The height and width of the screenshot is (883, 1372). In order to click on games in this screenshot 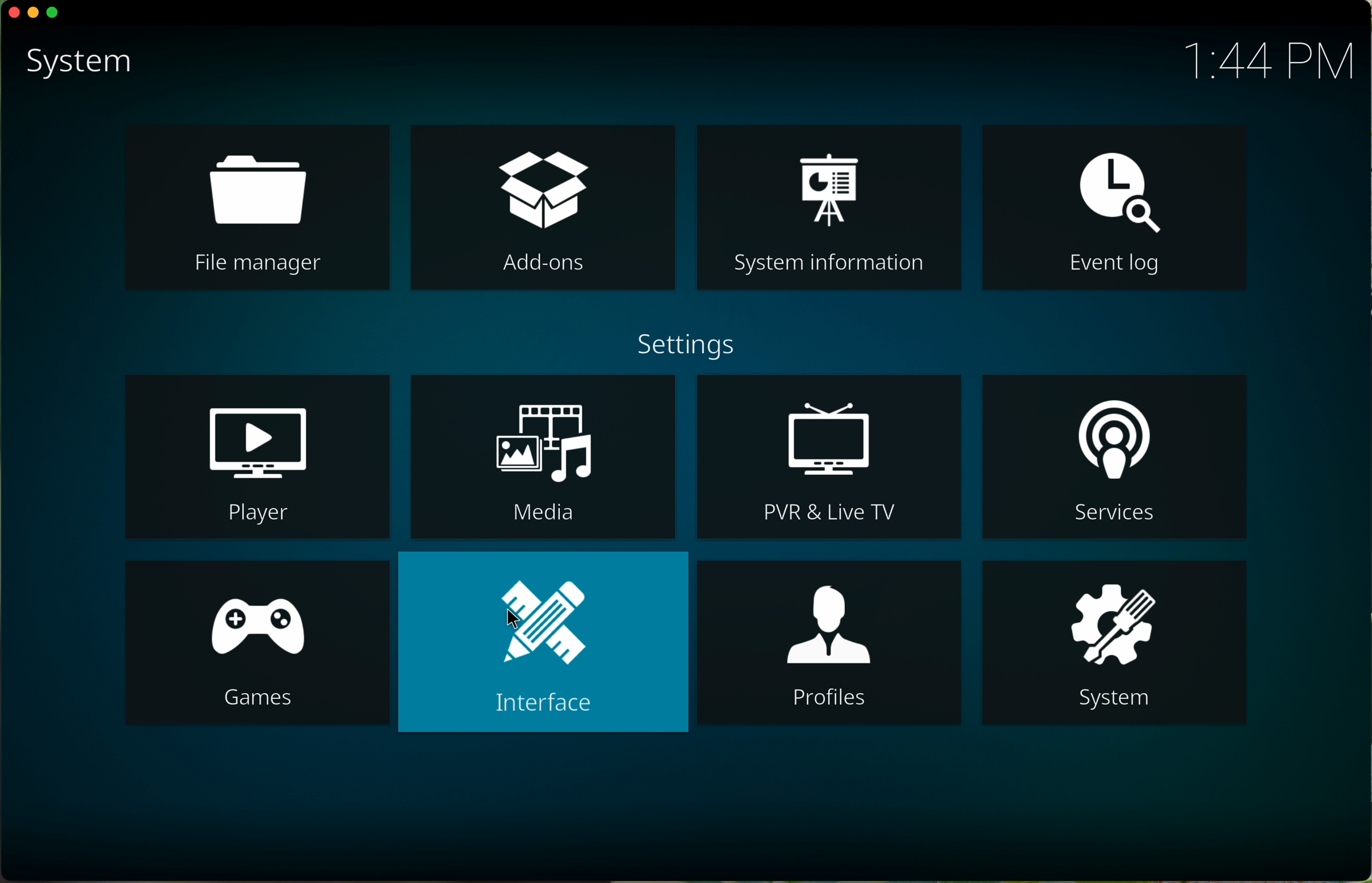, I will do `click(257, 646)`.